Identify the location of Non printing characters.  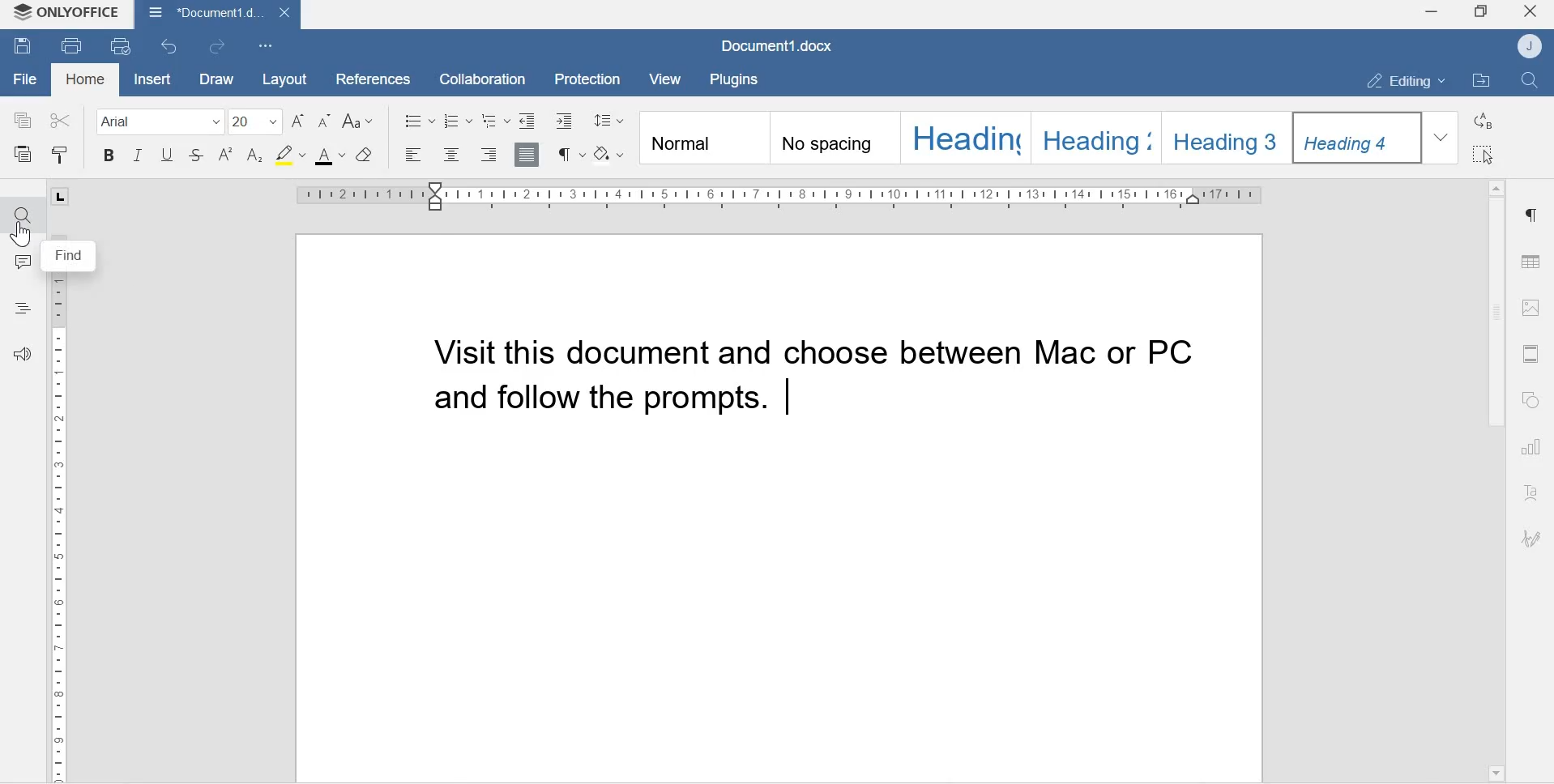
(570, 154).